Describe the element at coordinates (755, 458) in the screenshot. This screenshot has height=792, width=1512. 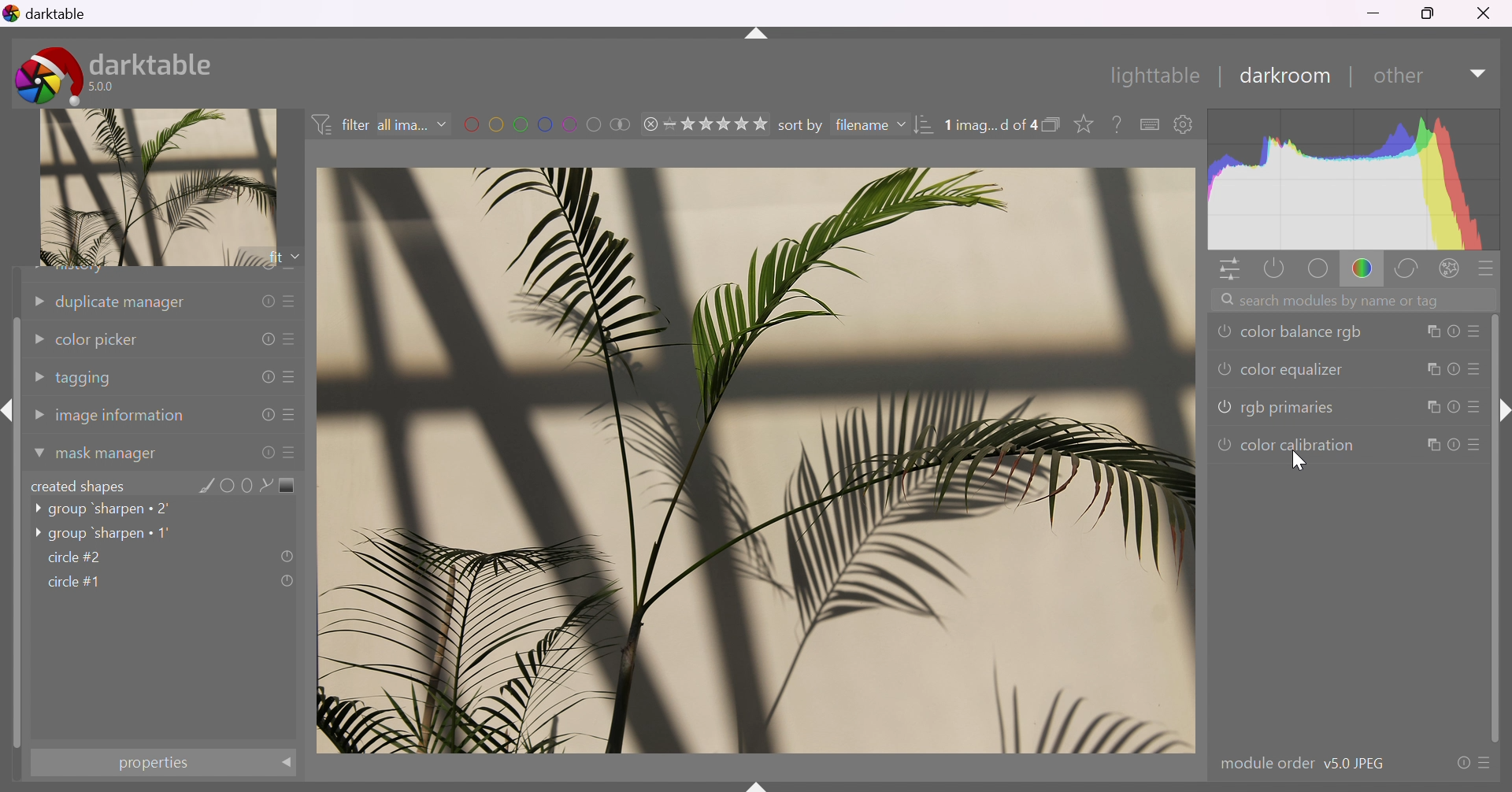
I see `image` at that location.